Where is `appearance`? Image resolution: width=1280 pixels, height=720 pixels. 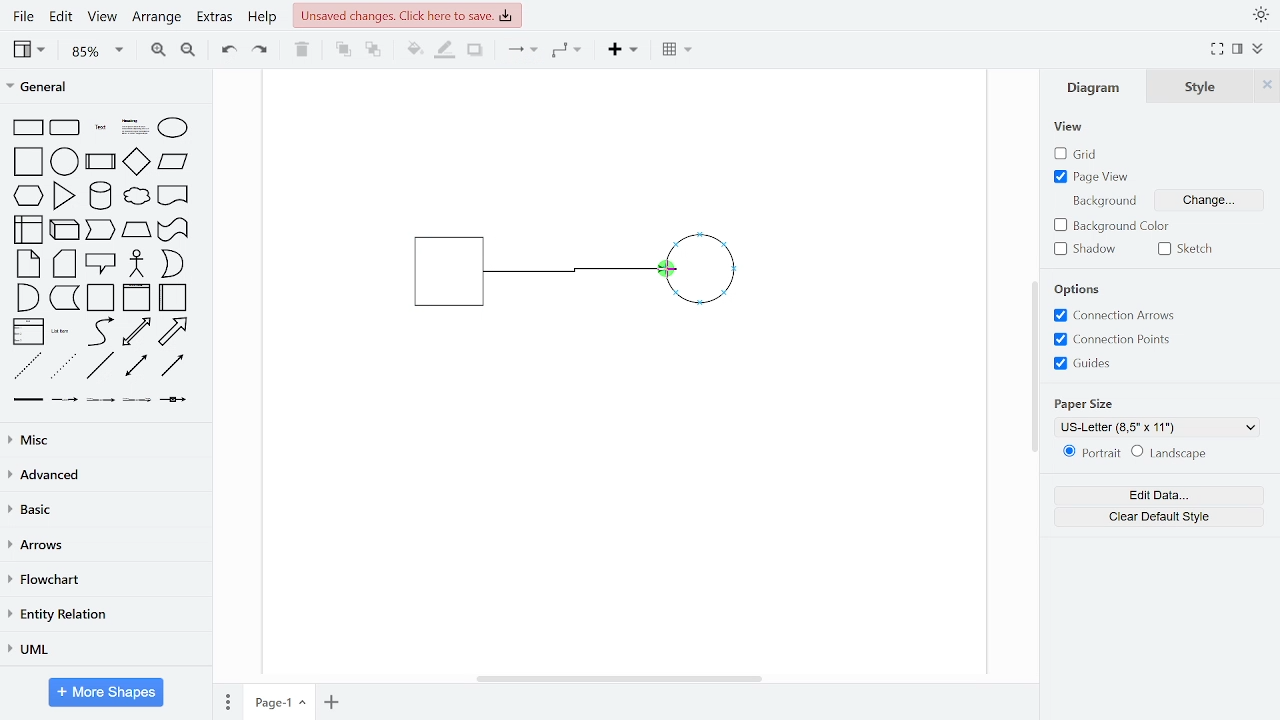 appearance is located at coordinates (1260, 15).